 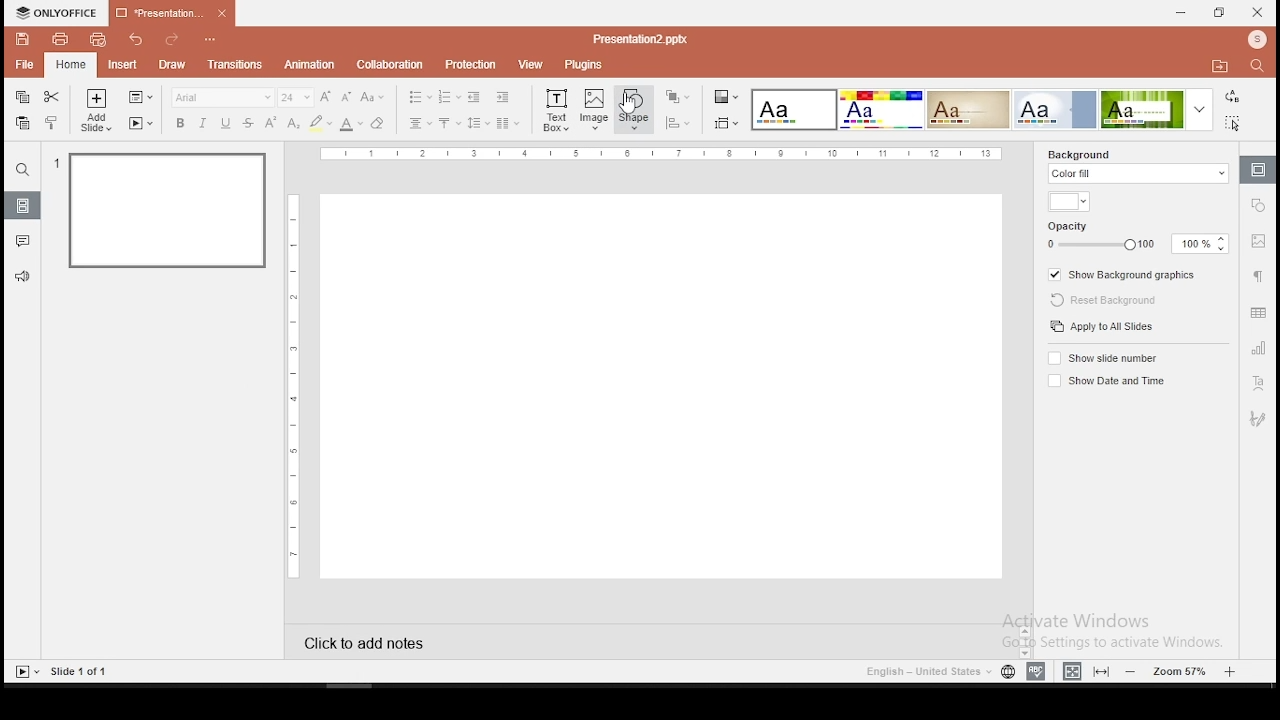 What do you see at coordinates (968, 110) in the screenshot?
I see `theme` at bounding box center [968, 110].